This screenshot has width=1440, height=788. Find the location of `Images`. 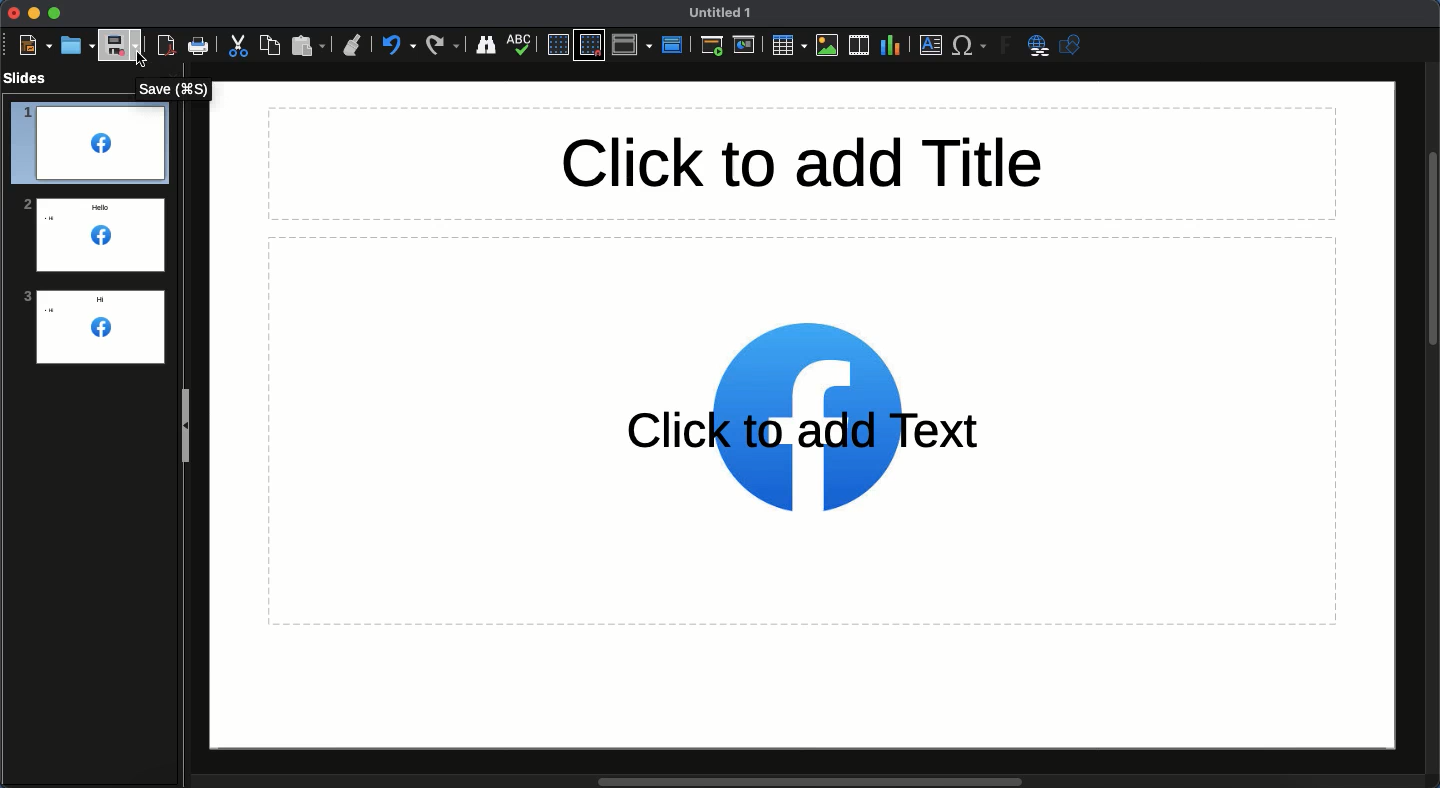

Images is located at coordinates (826, 49).